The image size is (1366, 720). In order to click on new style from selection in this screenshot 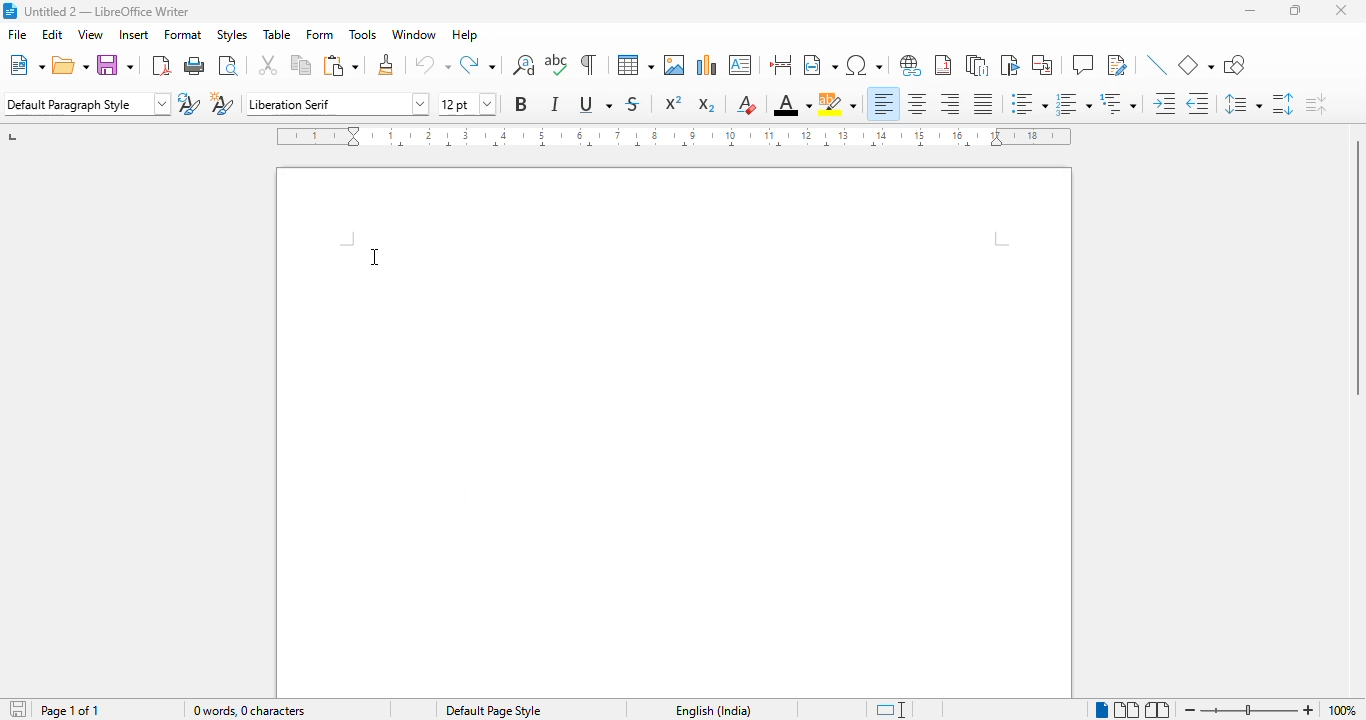, I will do `click(222, 104)`.